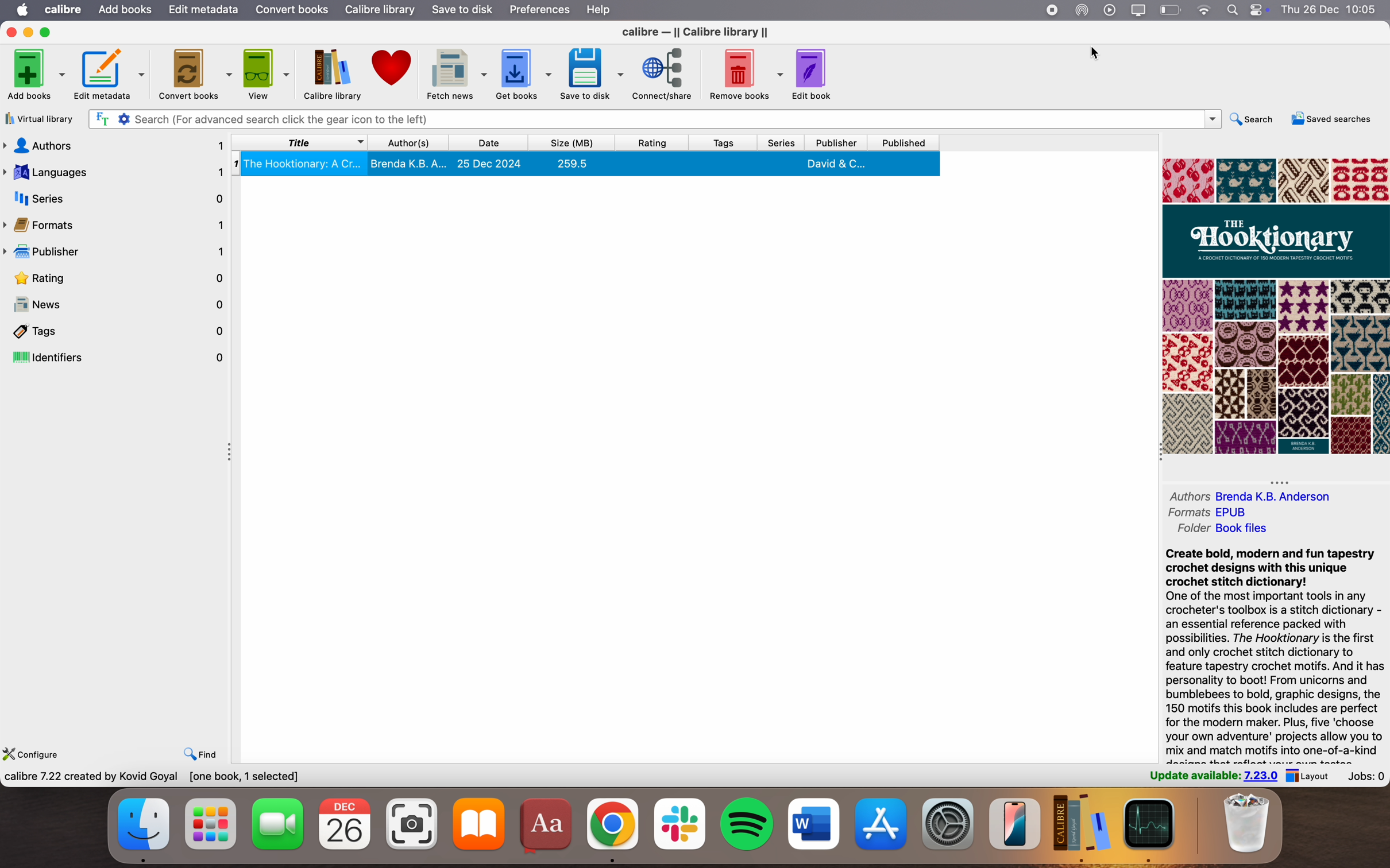 This screenshot has width=1390, height=868. Describe the element at coordinates (410, 142) in the screenshot. I see `author(s)` at that location.